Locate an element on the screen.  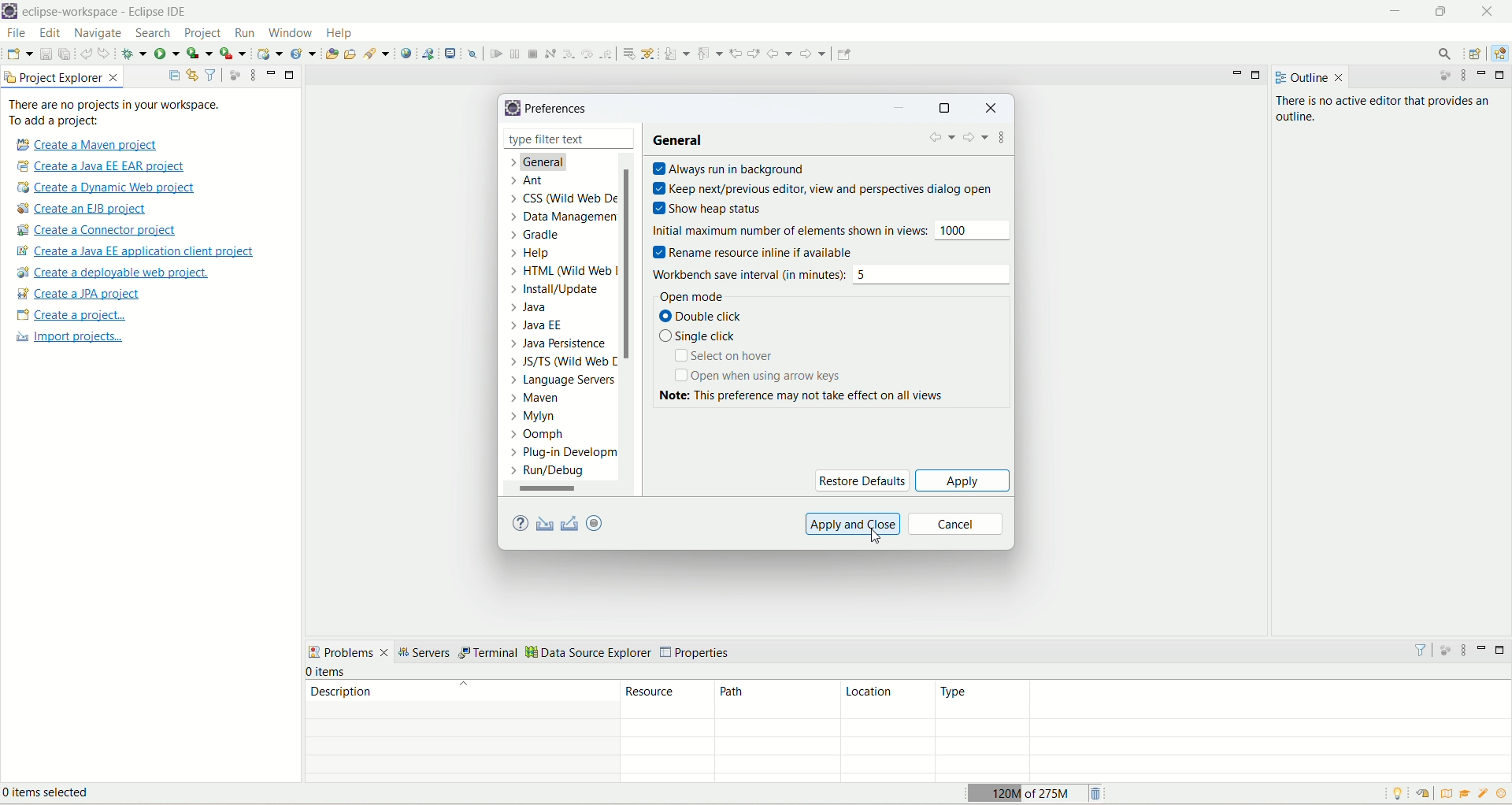
create a EJB project is located at coordinates (92, 209).